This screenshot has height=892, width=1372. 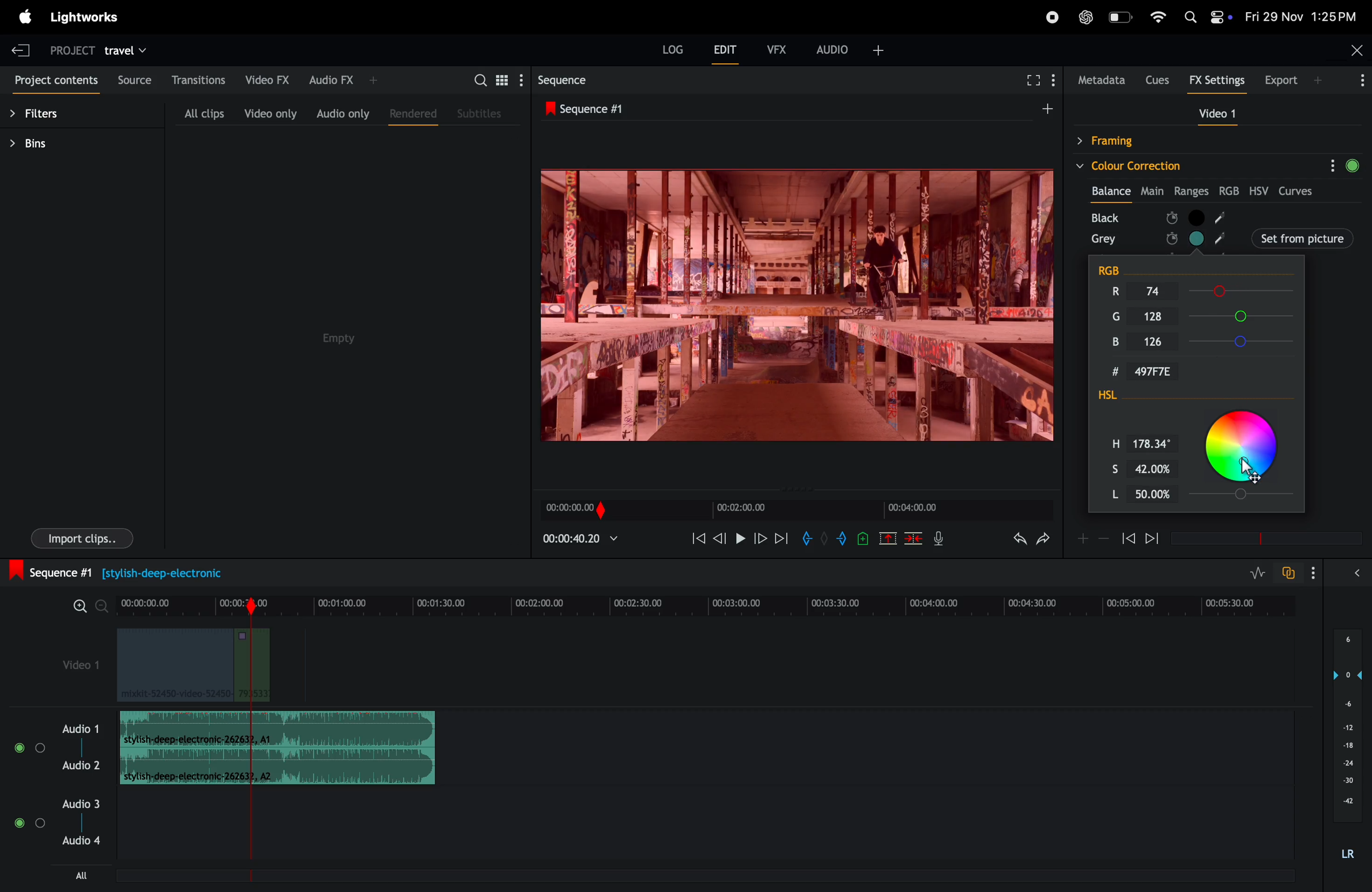 I want to click on all clips, so click(x=203, y=113).